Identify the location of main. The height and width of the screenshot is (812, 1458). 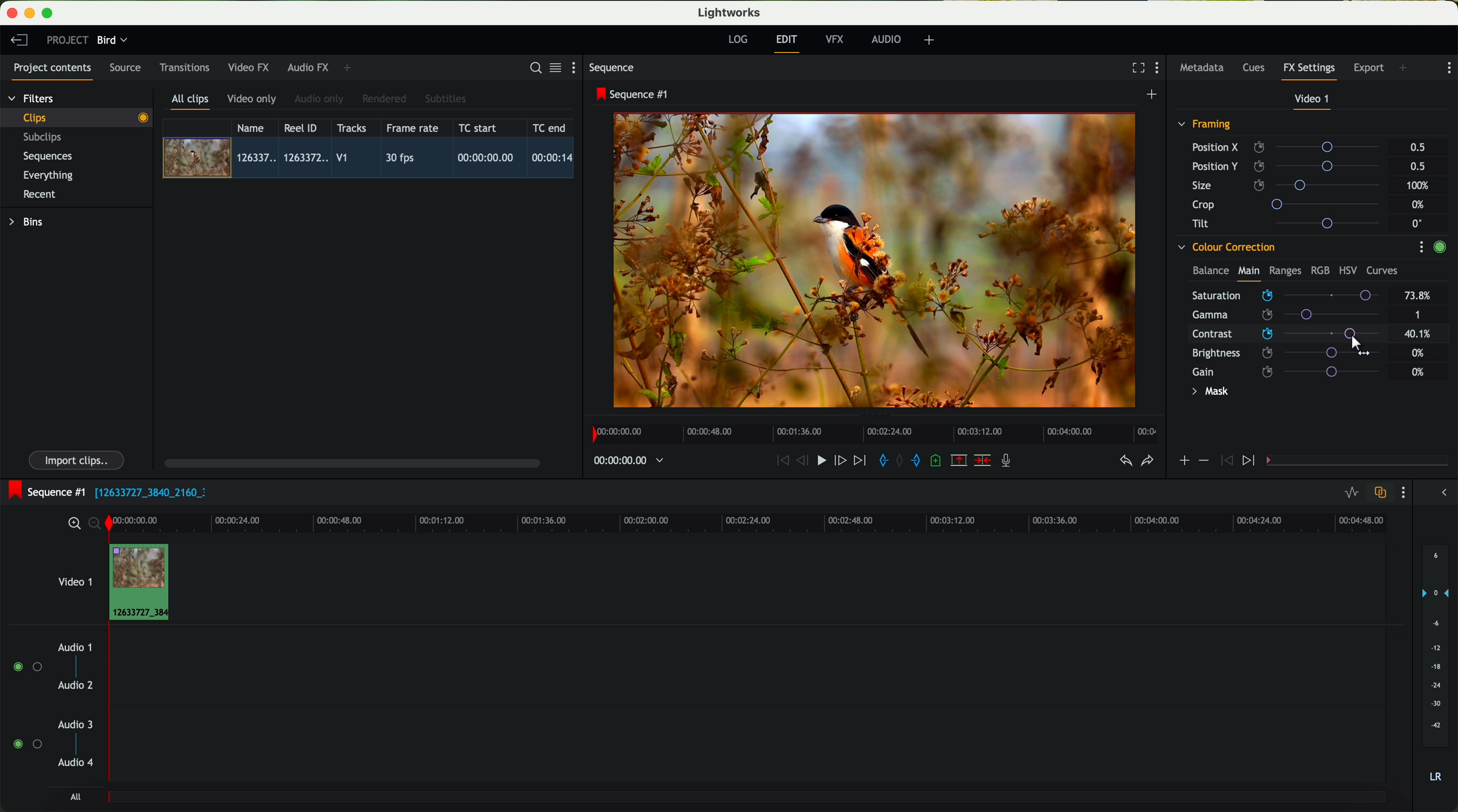
(1249, 273).